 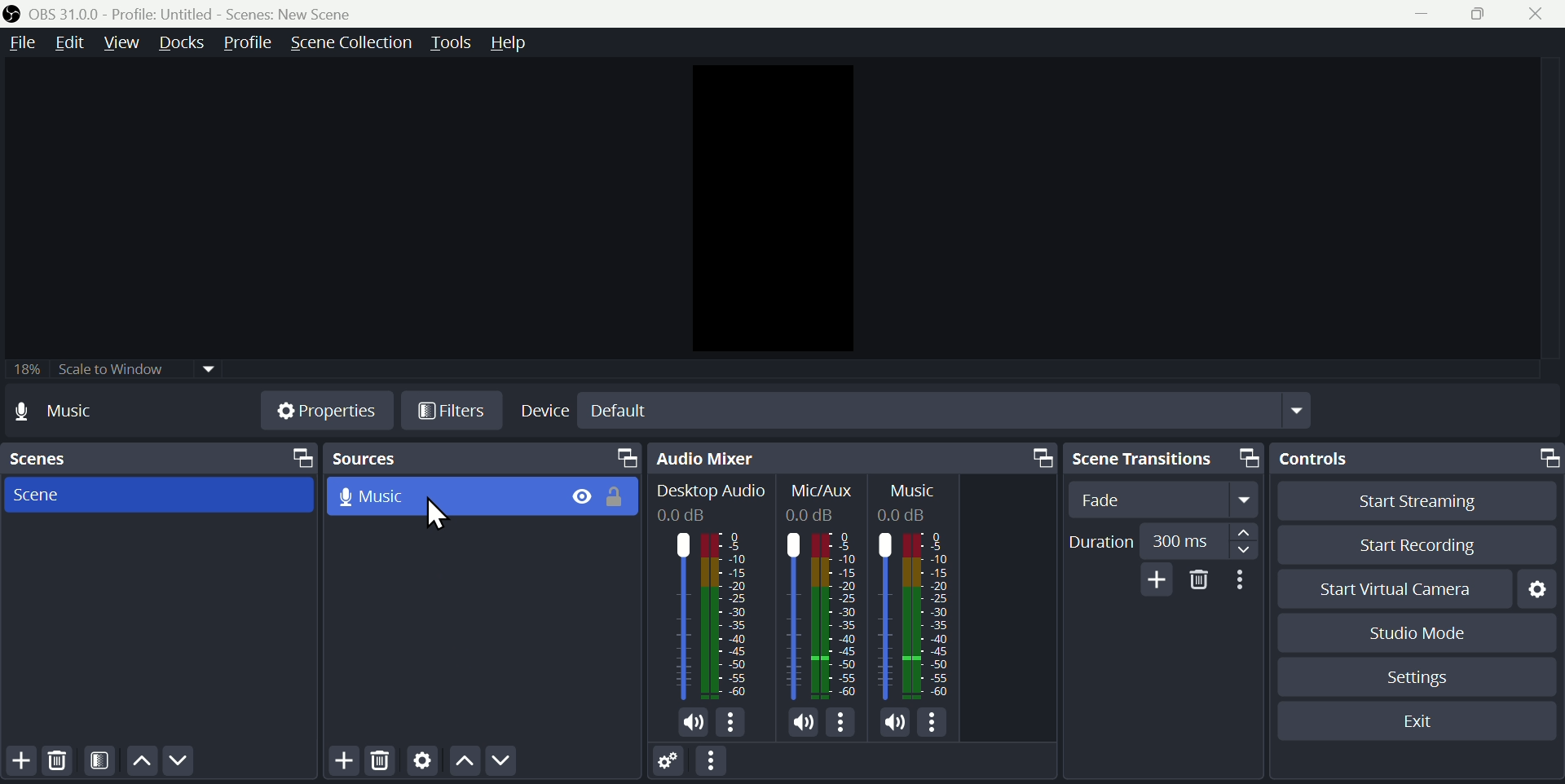 What do you see at coordinates (1422, 679) in the screenshot?
I see `Settings` at bounding box center [1422, 679].